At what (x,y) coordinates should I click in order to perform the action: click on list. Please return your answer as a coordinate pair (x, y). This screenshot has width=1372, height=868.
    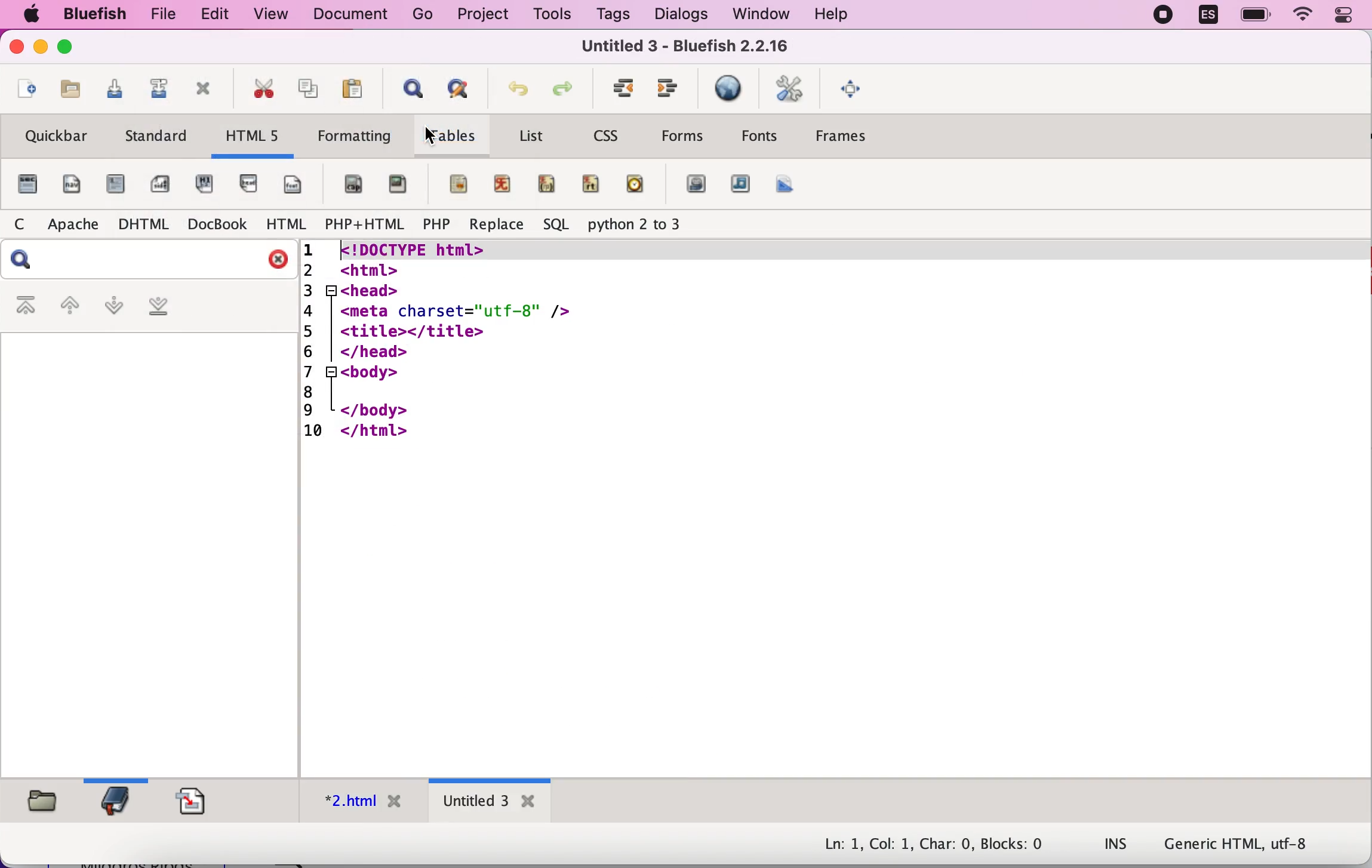
    Looking at the image, I should click on (534, 136).